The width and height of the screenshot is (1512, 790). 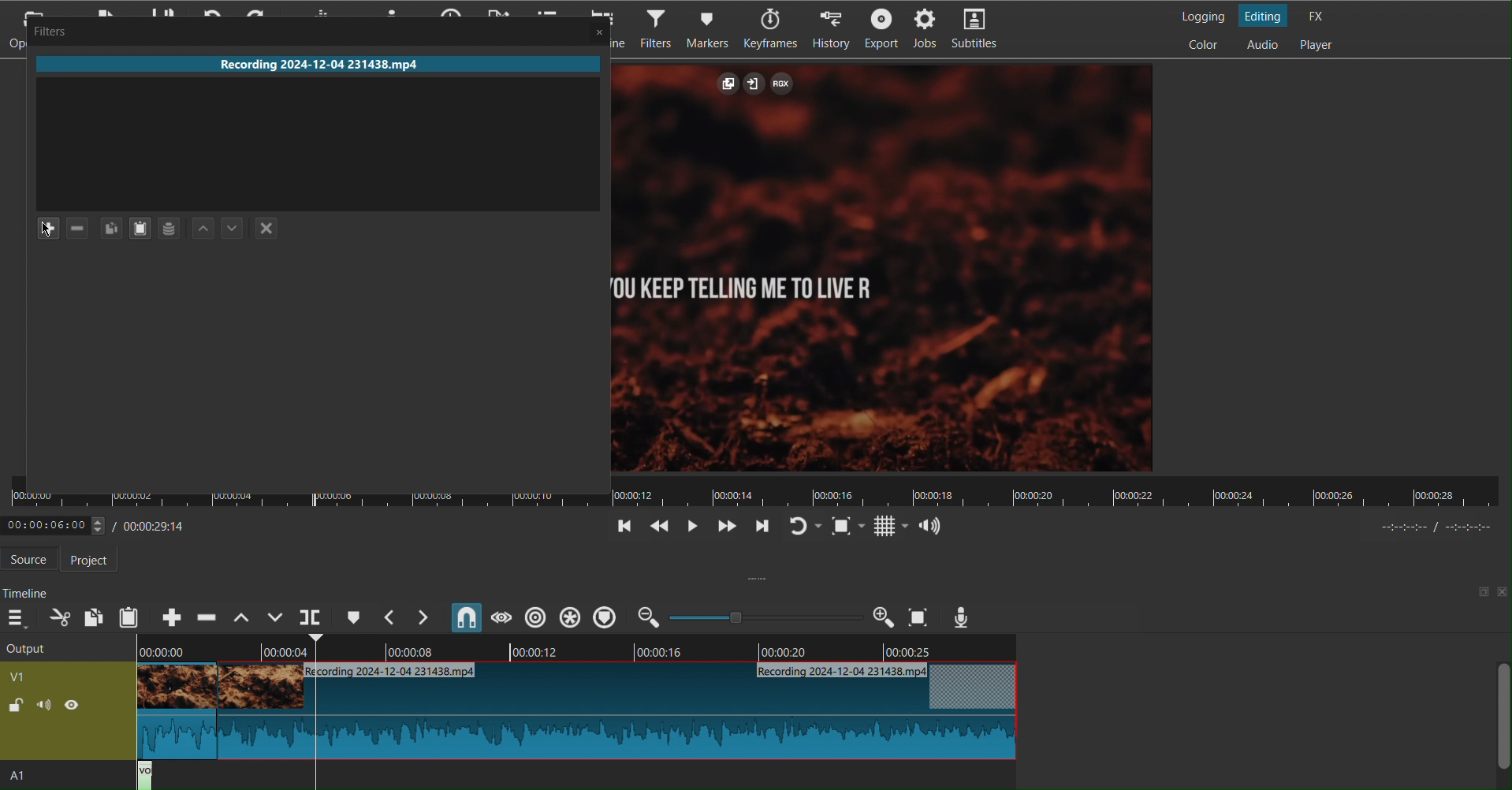 What do you see at coordinates (1266, 15) in the screenshot?
I see `Editing` at bounding box center [1266, 15].